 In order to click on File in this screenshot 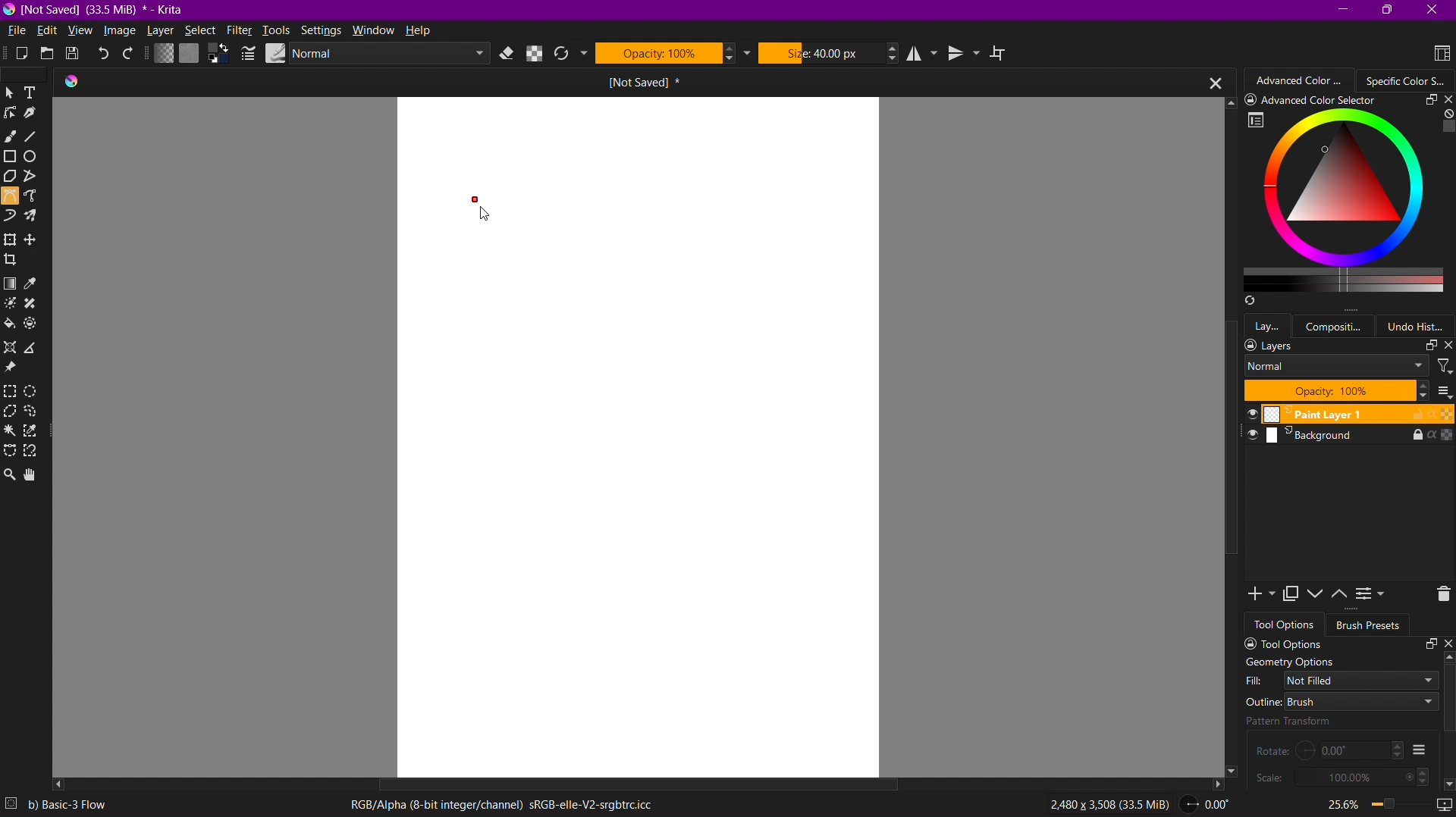, I will do `click(17, 30)`.